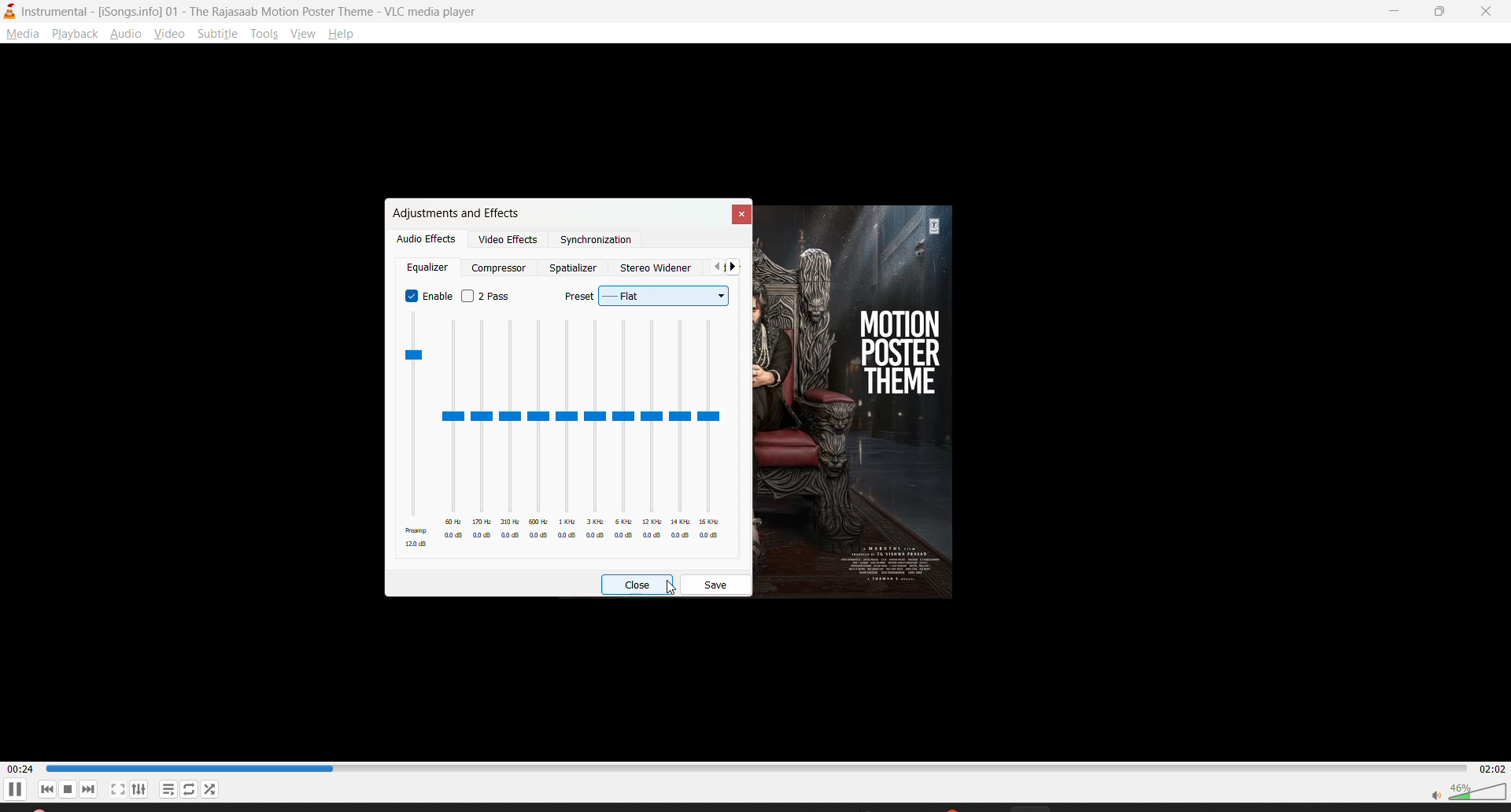 This screenshot has height=812, width=1511. What do you see at coordinates (78, 35) in the screenshot?
I see `playback` at bounding box center [78, 35].